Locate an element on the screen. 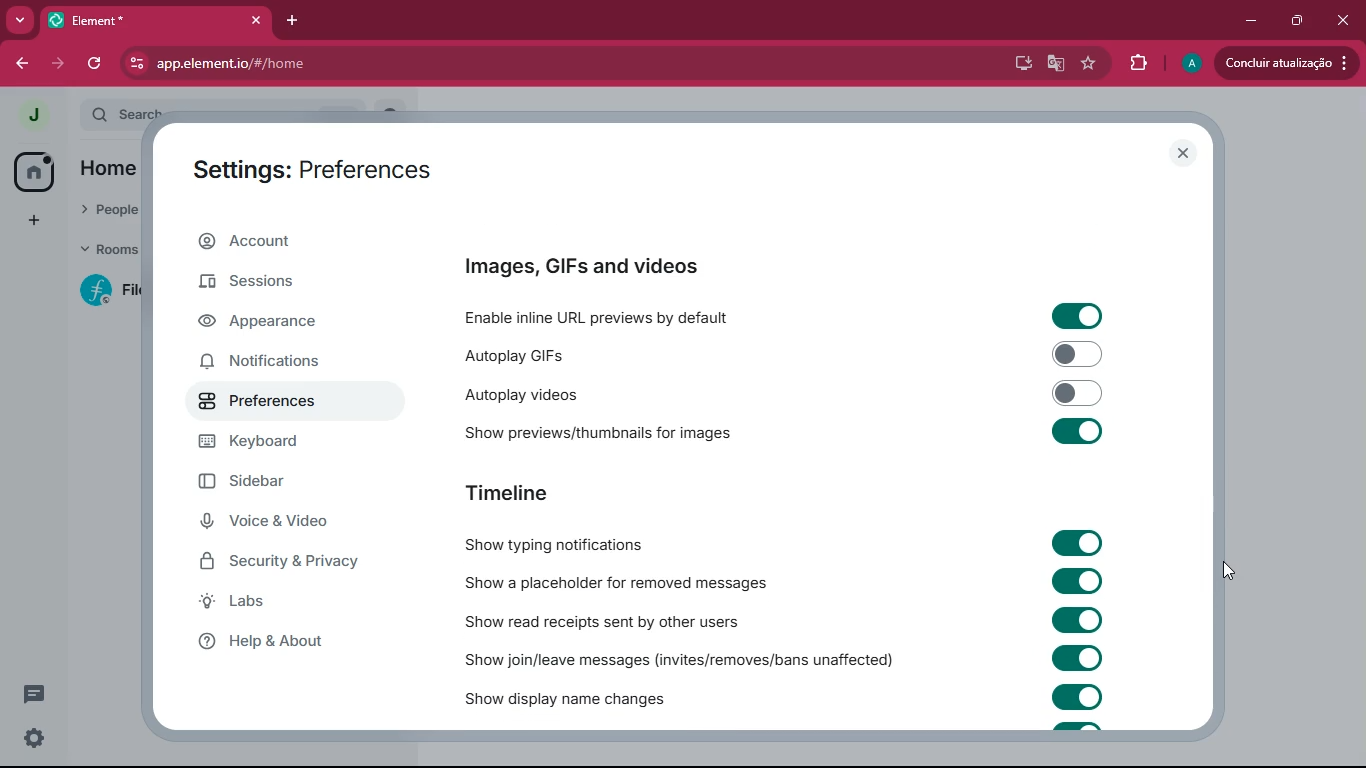  notifications is located at coordinates (280, 363).